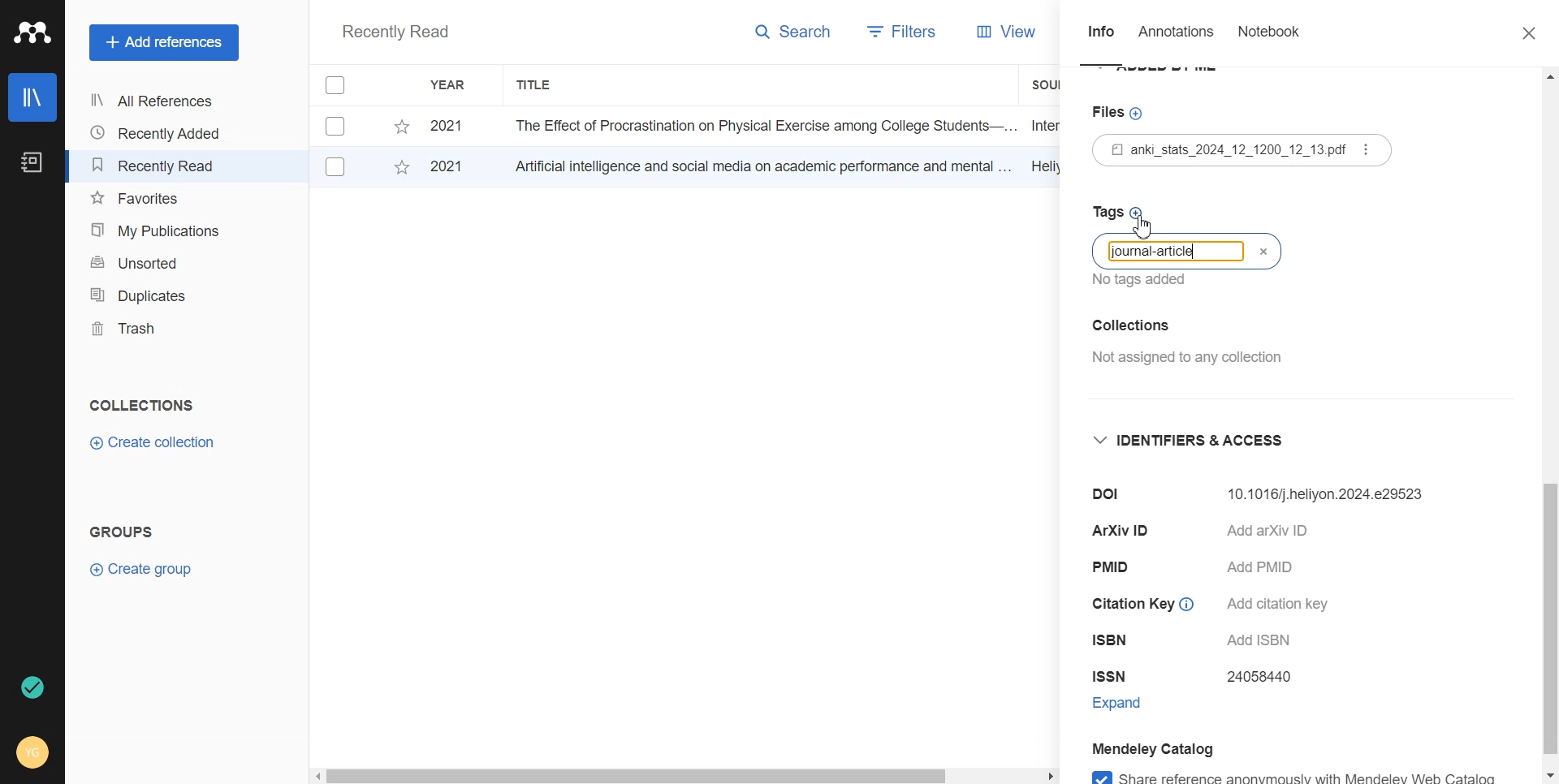  What do you see at coordinates (1120, 210) in the screenshot?
I see `Tags` at bounding box center [1120, 210].